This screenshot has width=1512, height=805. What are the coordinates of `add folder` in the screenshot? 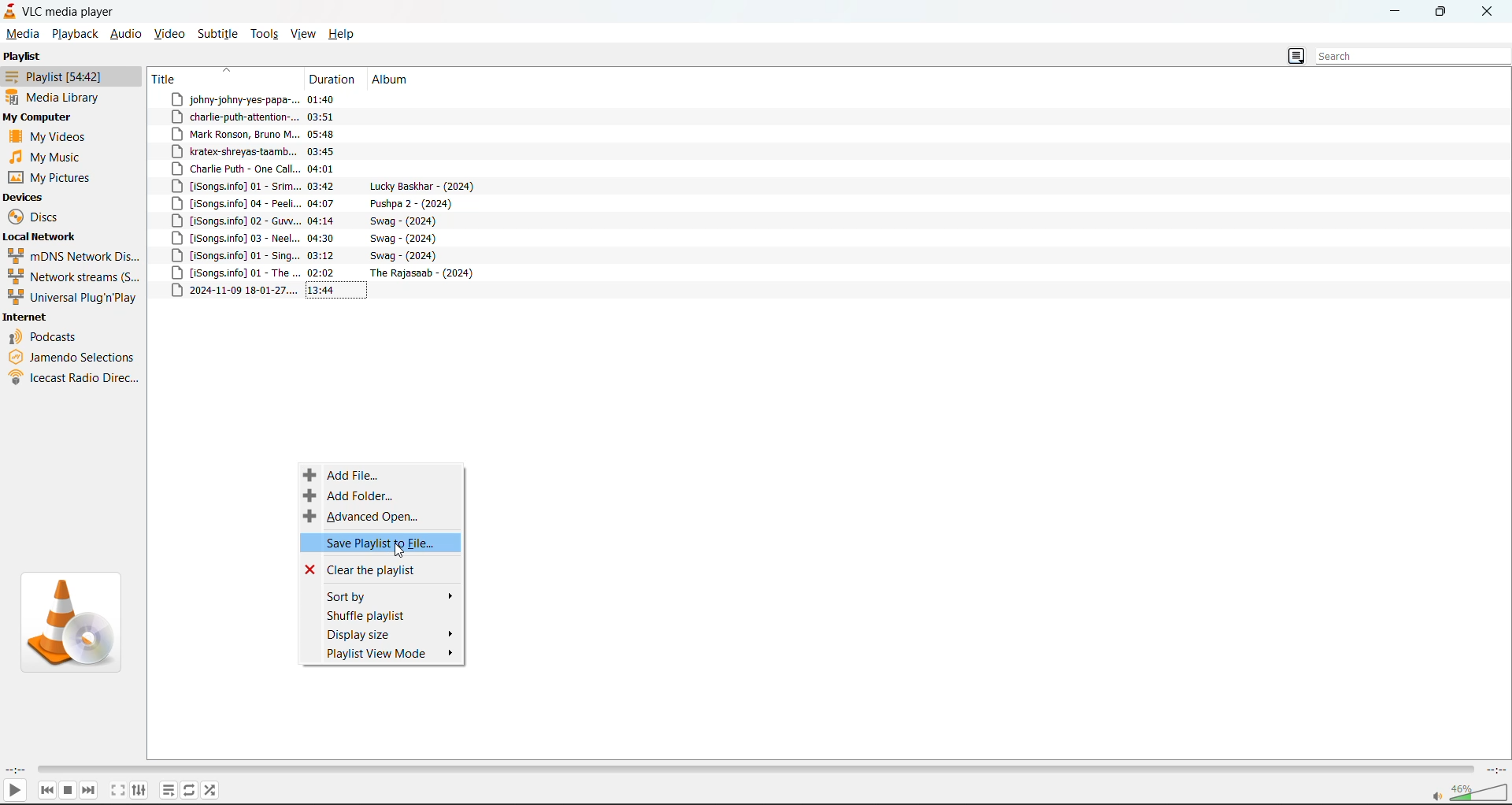 It's located at (380, 495).